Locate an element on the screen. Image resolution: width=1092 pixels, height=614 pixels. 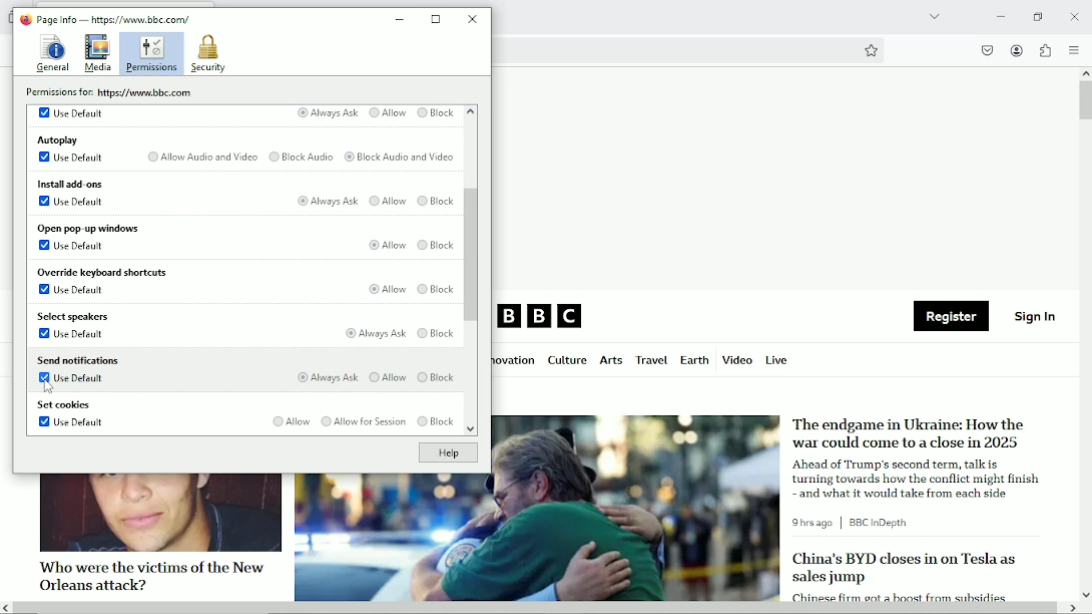
scroll left is located at coordinates (7, 608).